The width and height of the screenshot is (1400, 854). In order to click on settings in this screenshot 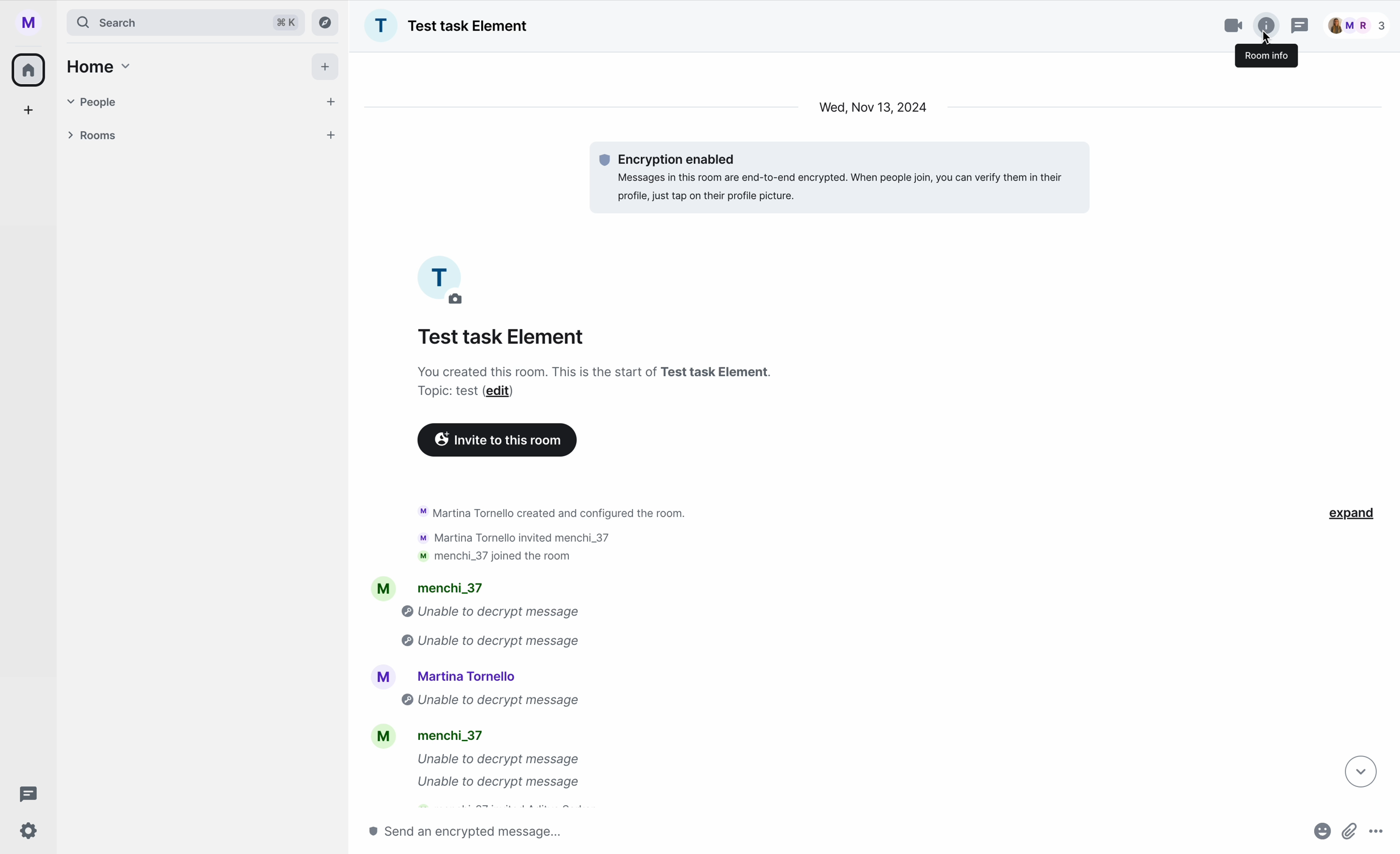, I will do `click(29, 832)`.